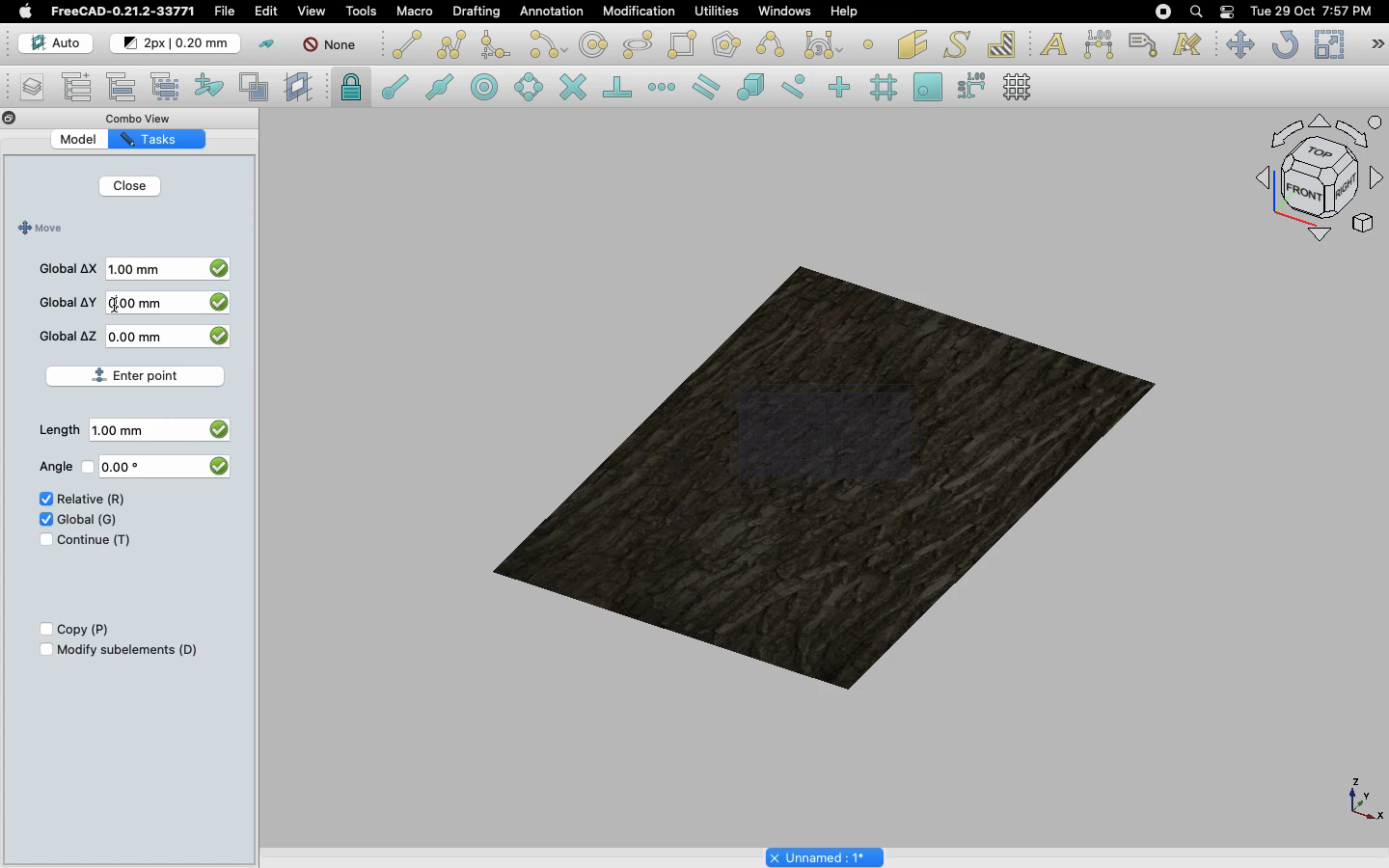 The height and width of the screenshot is (868, 1389). Describe the element at coordinates (10, 120) in the screenshot. I see `Close` at that location.